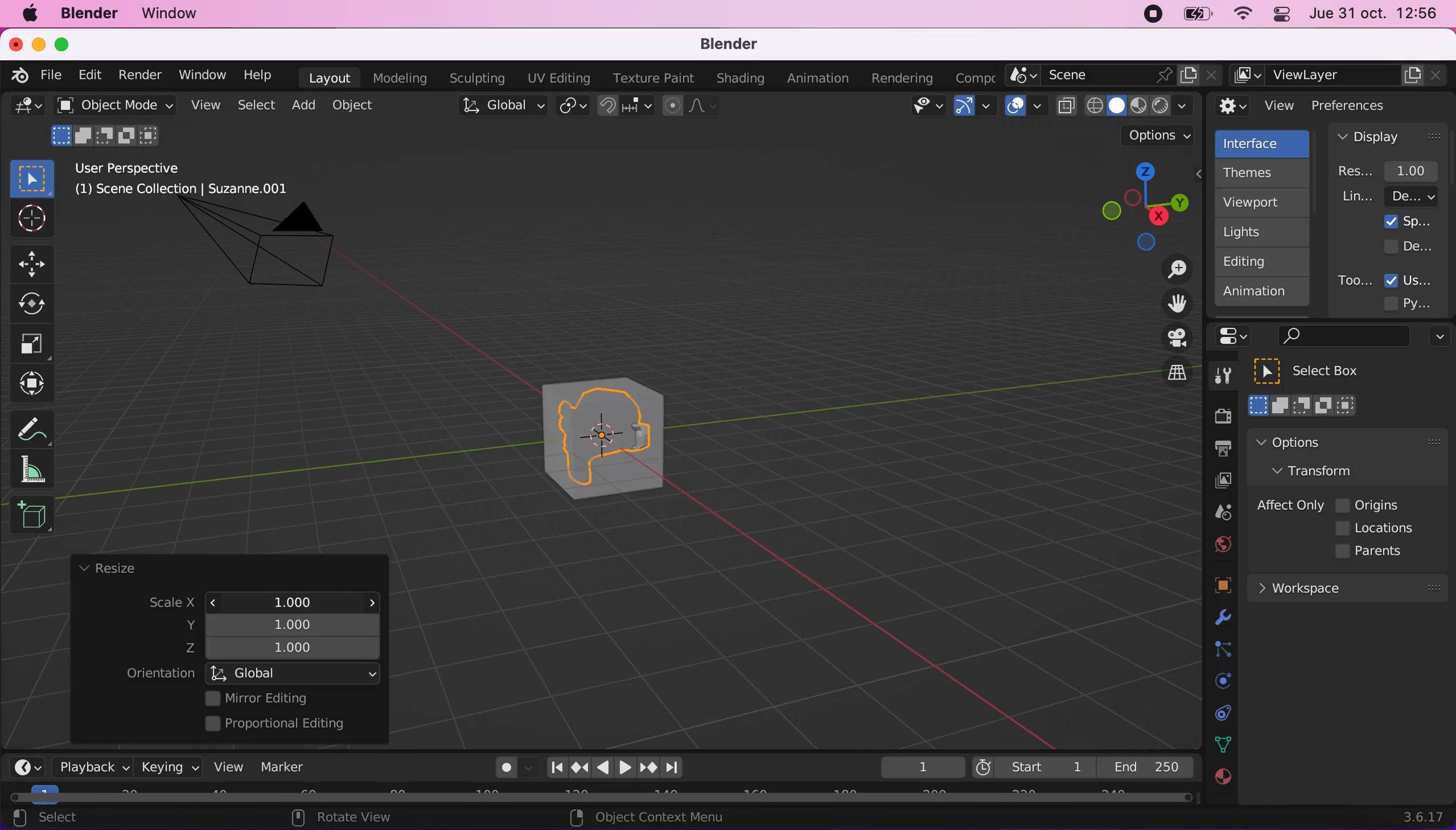 Image resolution: width=1456 pixels, height=830 pixels. What do you see at coordinates (168, 767) in the screenshot?
I see `keying` at bounding box center [168, 767].